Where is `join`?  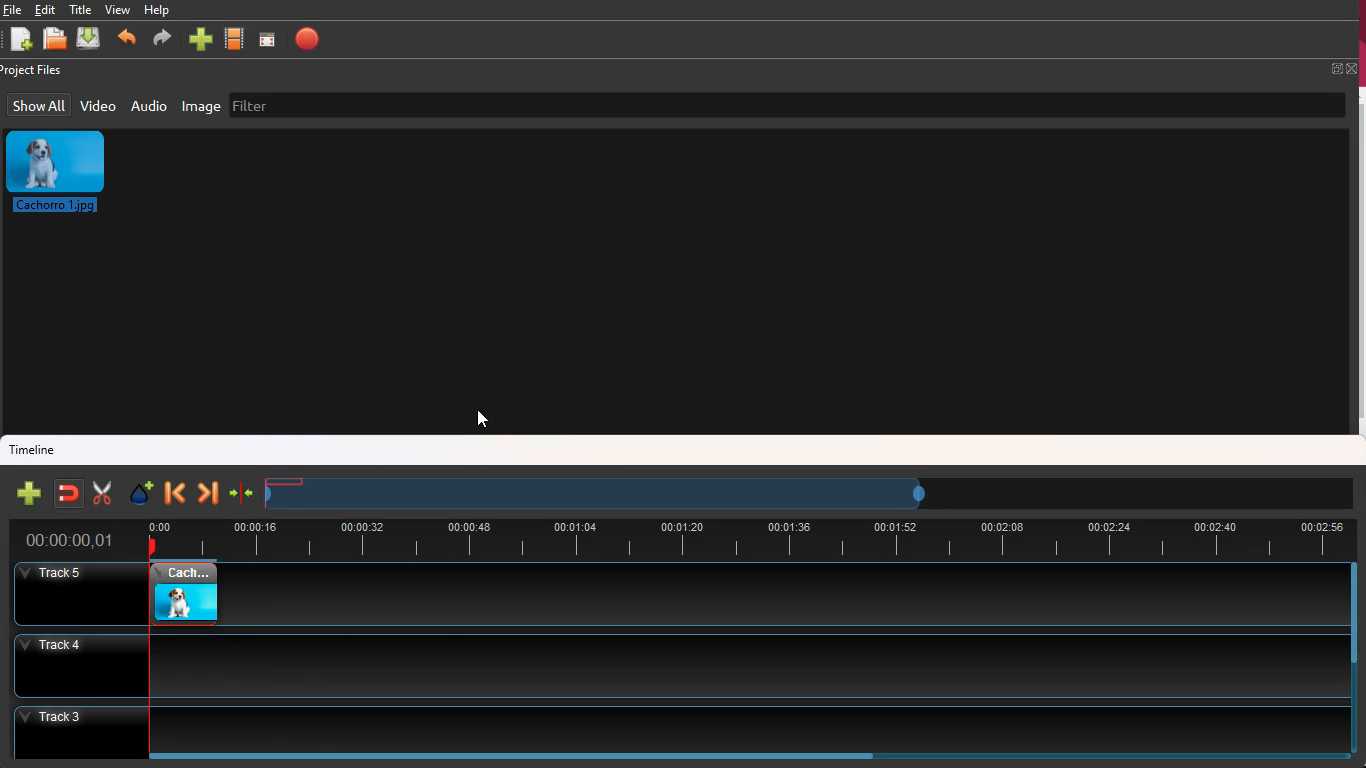
join is located at coordinates (242, 493).